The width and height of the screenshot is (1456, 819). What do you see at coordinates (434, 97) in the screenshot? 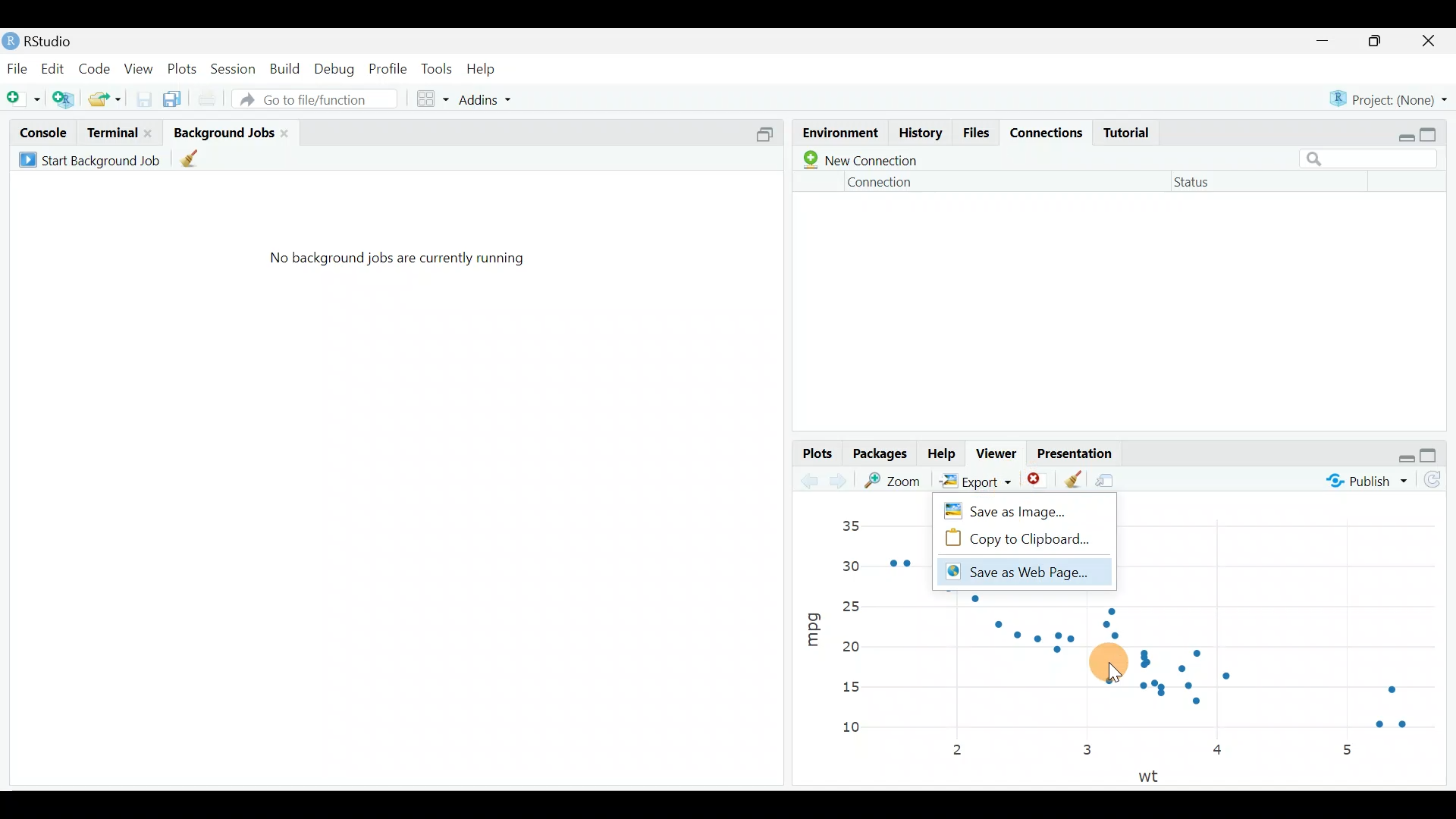
I see `Workspace panes` at bounding box center [434, 97].